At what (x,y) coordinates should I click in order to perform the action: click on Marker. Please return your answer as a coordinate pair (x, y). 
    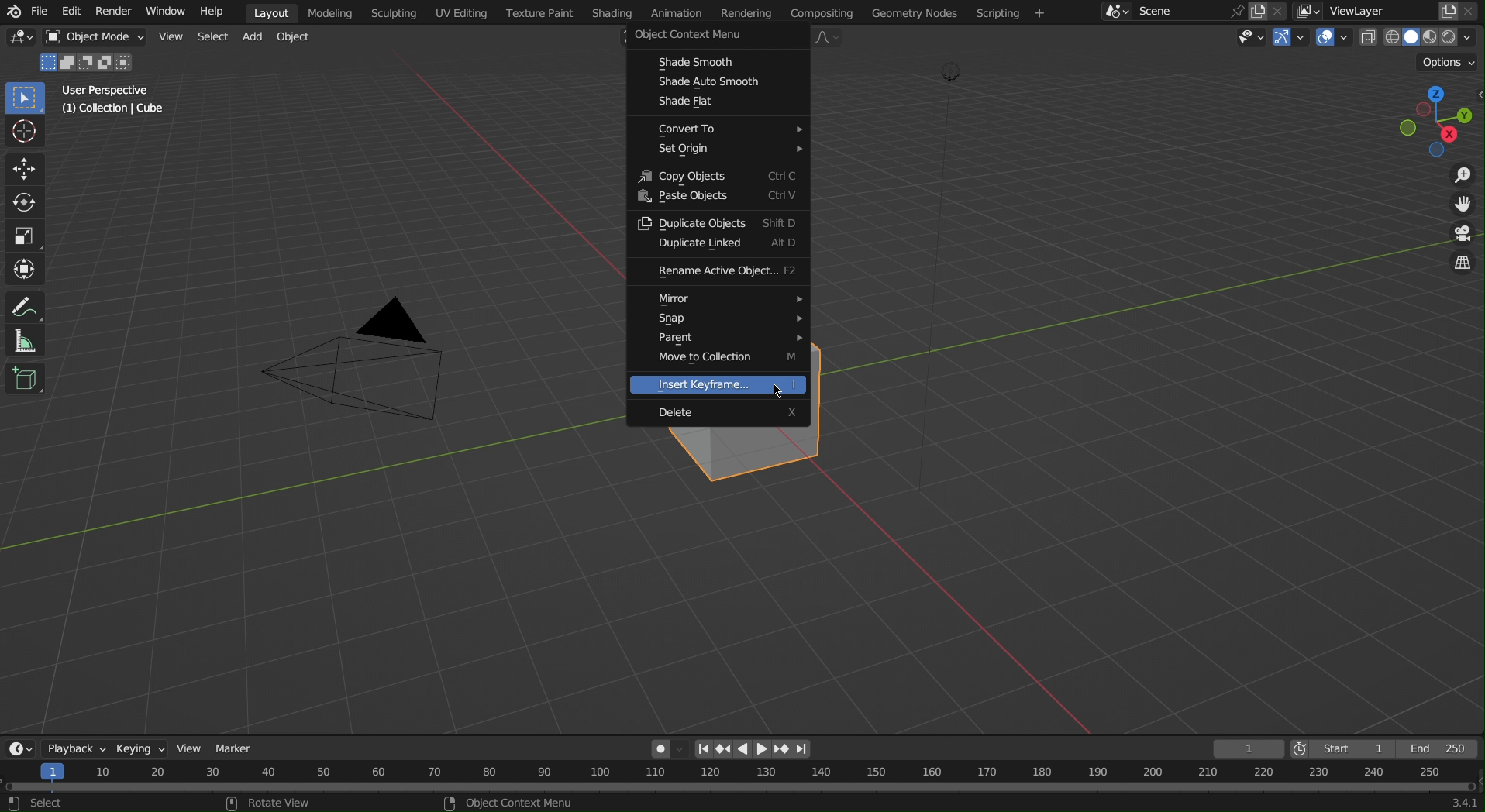
    Looking at the image, I should click on (239, 749).